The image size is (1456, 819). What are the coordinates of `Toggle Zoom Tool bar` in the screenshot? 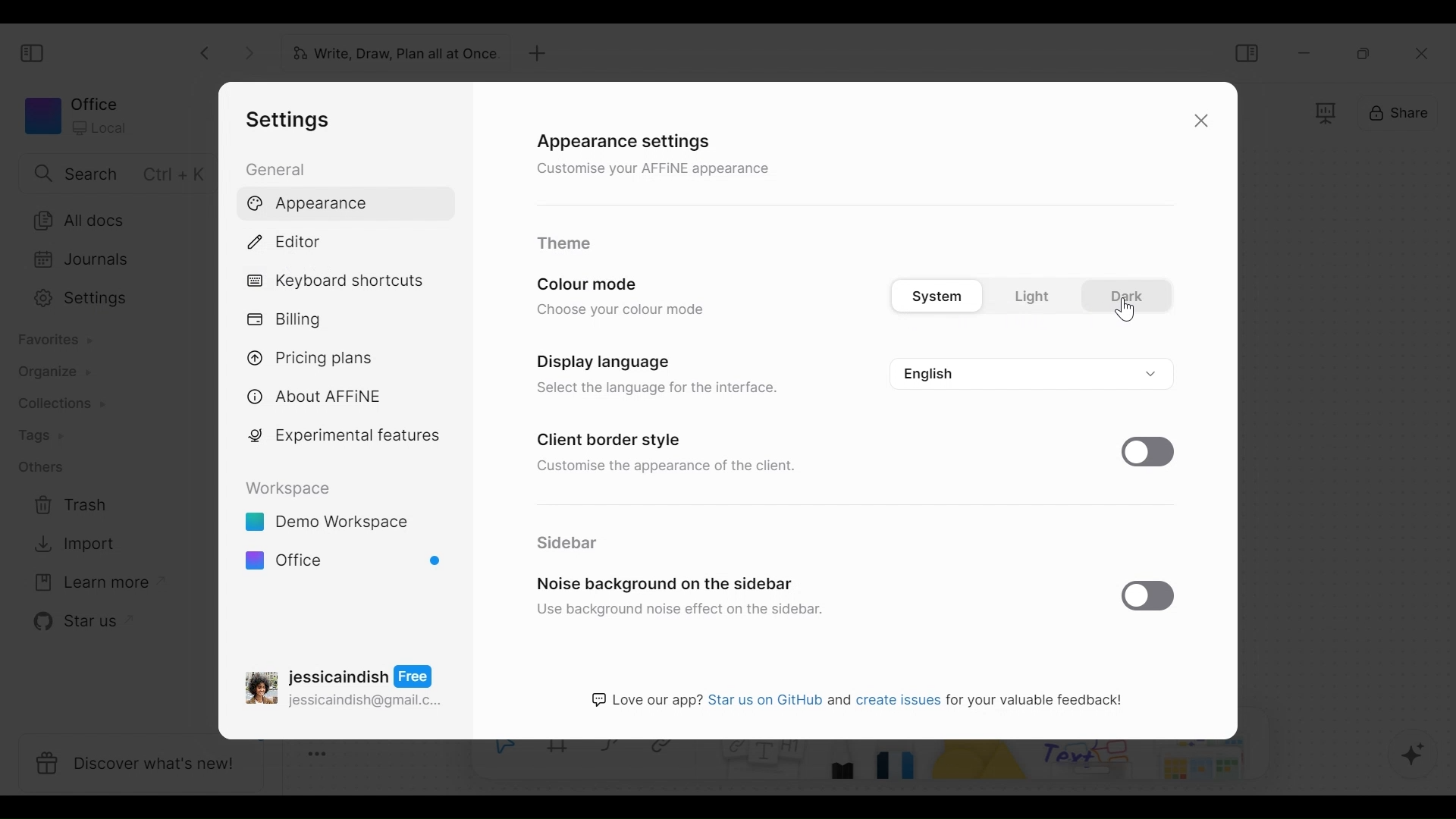 It's located at (322, 755).